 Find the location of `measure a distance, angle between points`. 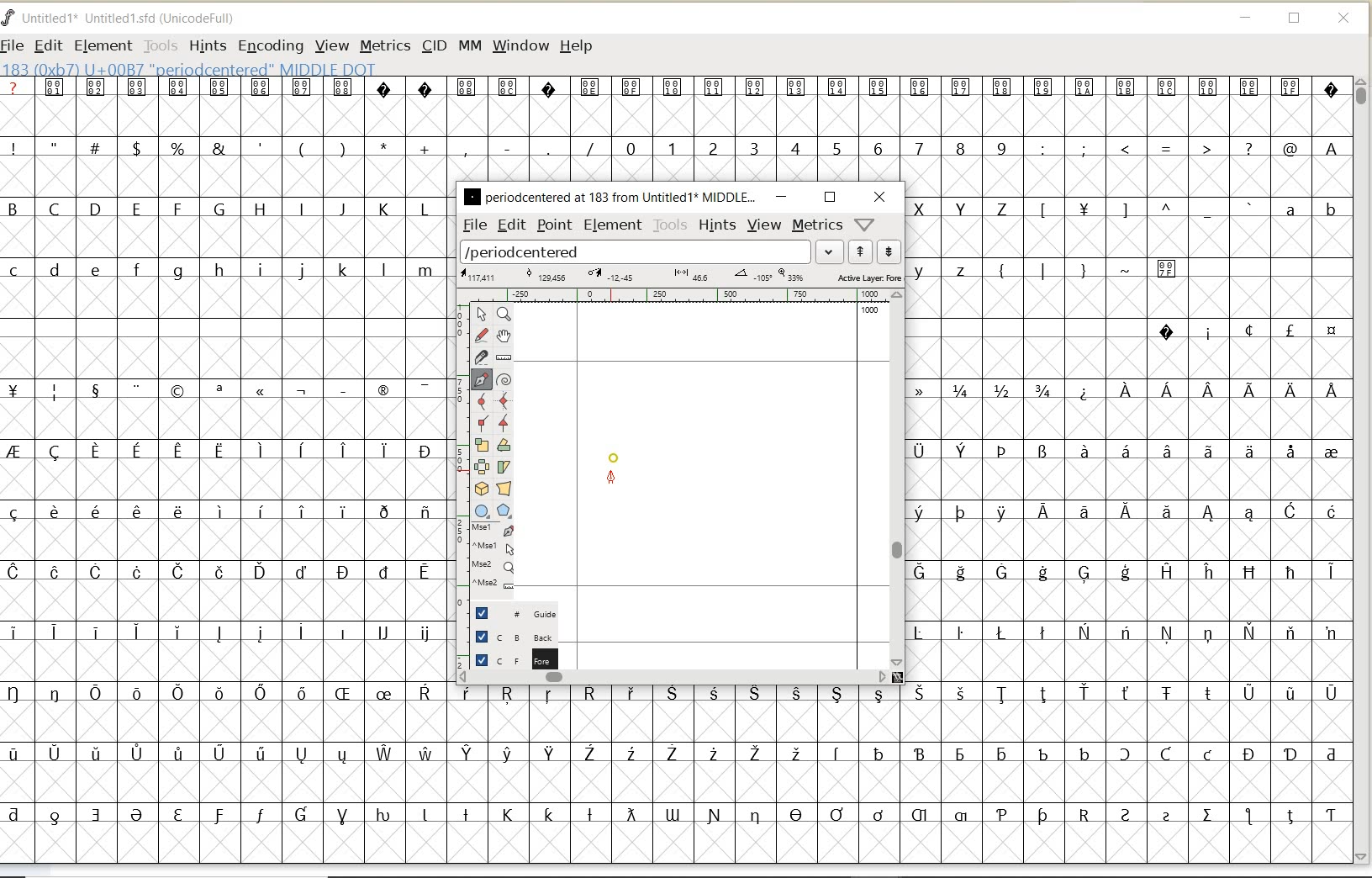

measure a distance, angle between points is located at coordinates (504, 357).